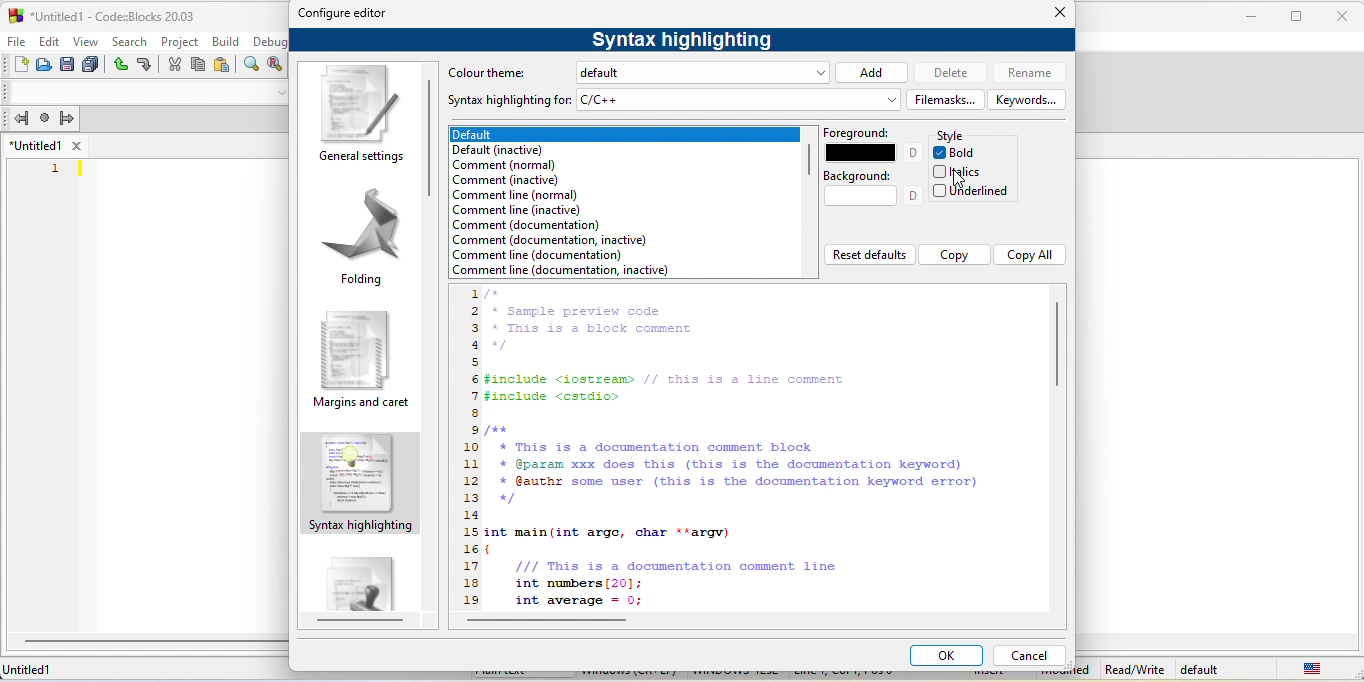 Image resolution: width=1364 pixels, height=682 pixels. I want to click on horizontal scroll bar, so click(360, 622).